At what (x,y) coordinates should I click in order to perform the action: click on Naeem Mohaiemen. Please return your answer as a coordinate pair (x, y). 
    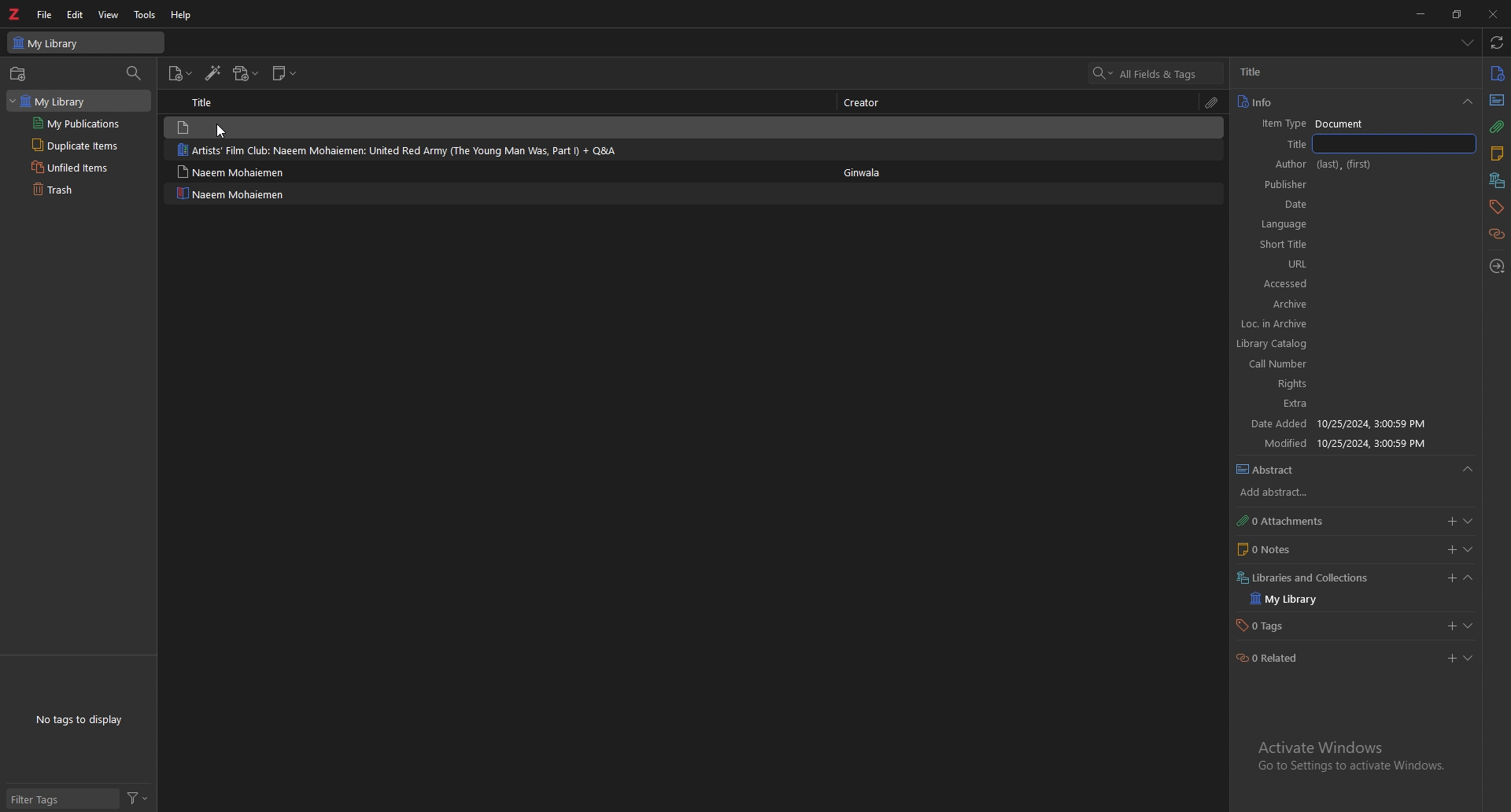
    Looking at the image, I should click on (231, 194).